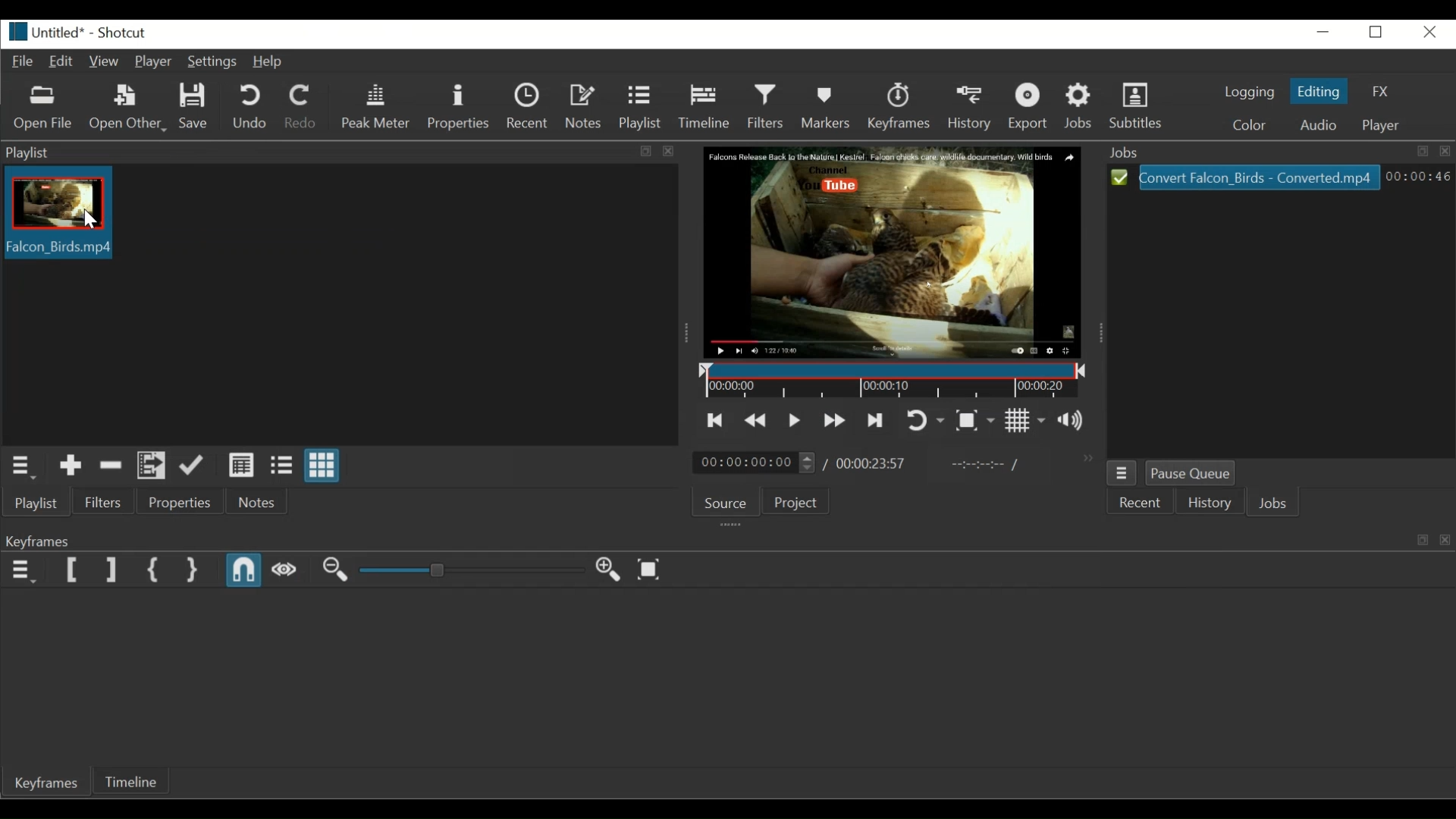  Describe the element at coordinates (972, 108) in the screenshot. I see `History` at that location.